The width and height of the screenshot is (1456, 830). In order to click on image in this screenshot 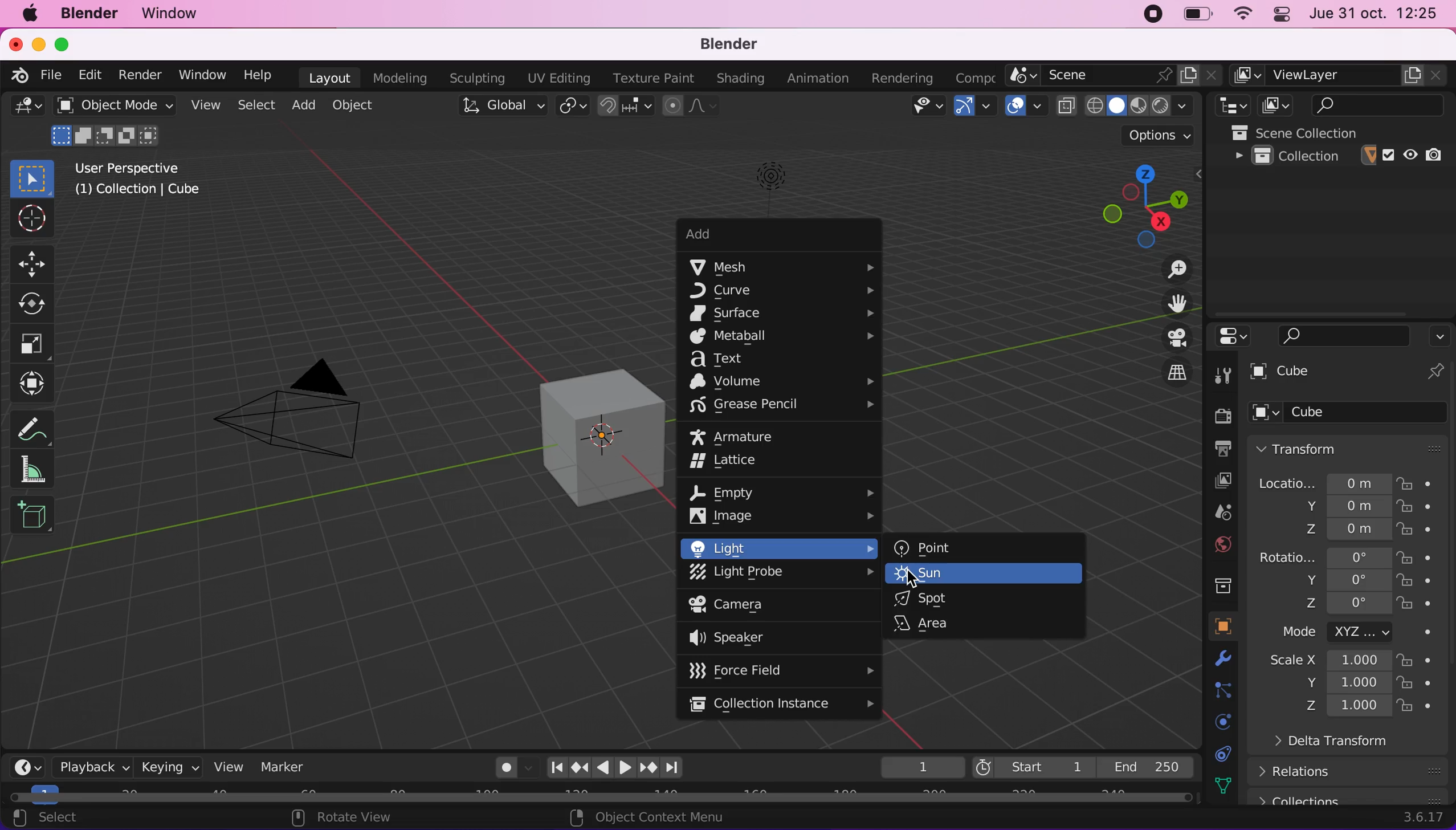, I will do `click(782, 516)`.